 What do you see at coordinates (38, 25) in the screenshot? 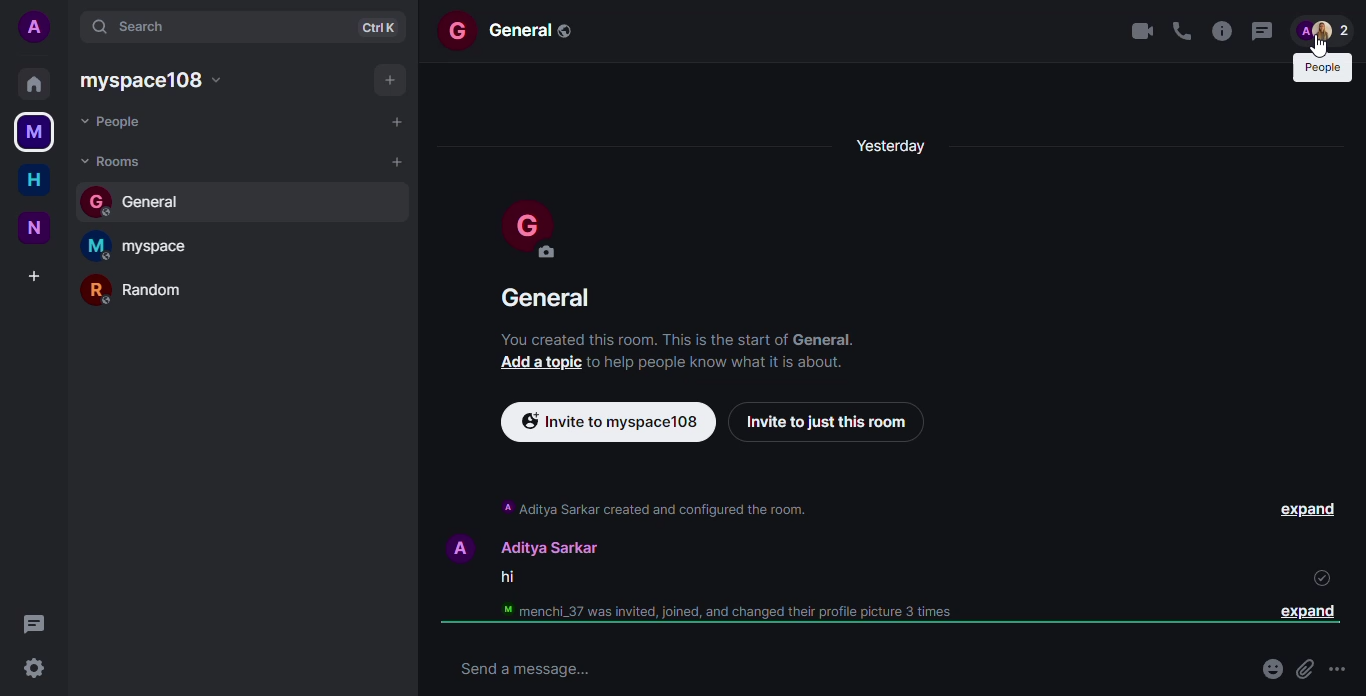
I see `account` at bounding box center [38, 25].